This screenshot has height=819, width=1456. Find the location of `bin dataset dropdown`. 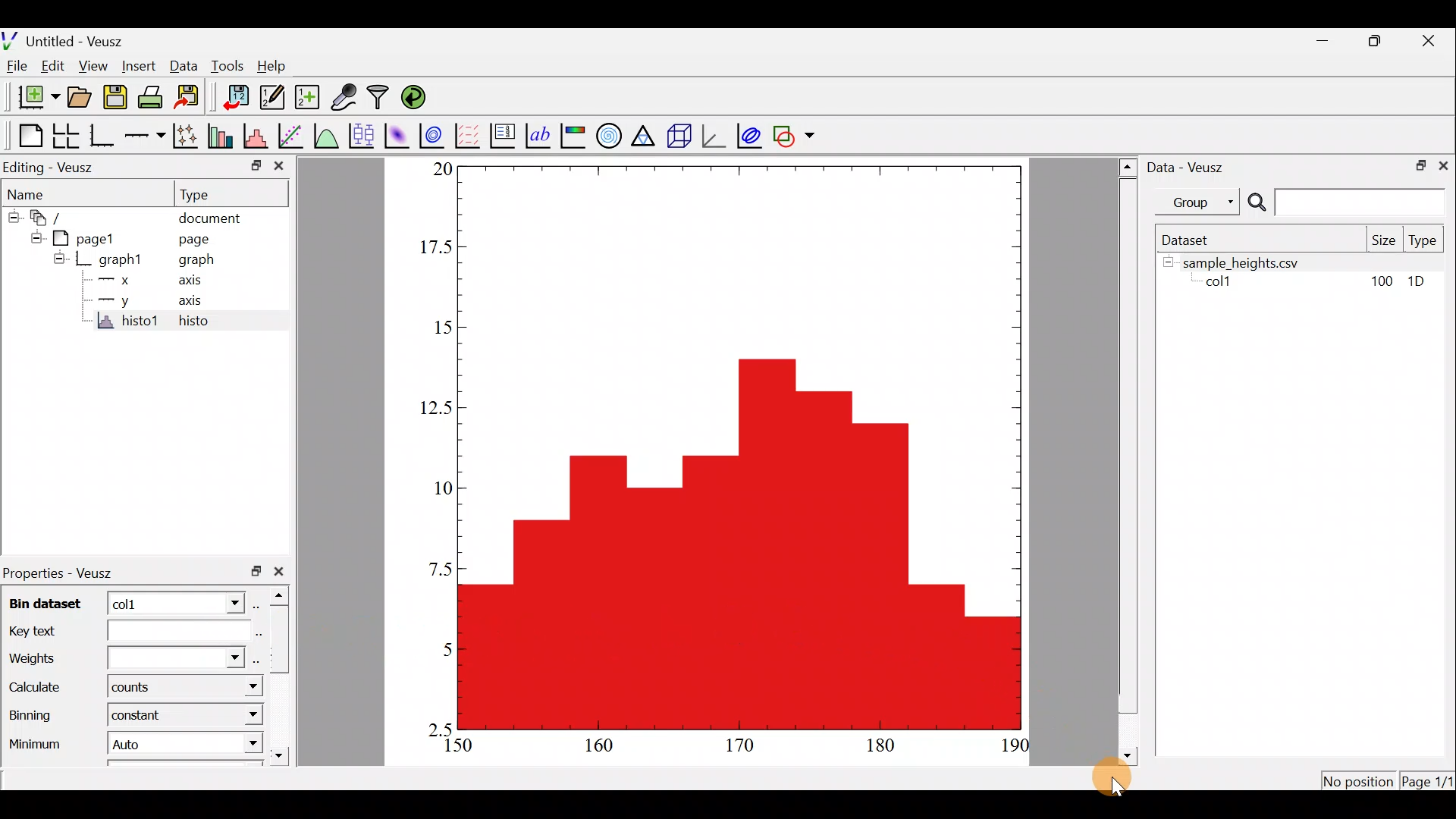

bin dataset dropdown is located at coordinates (227, 602).